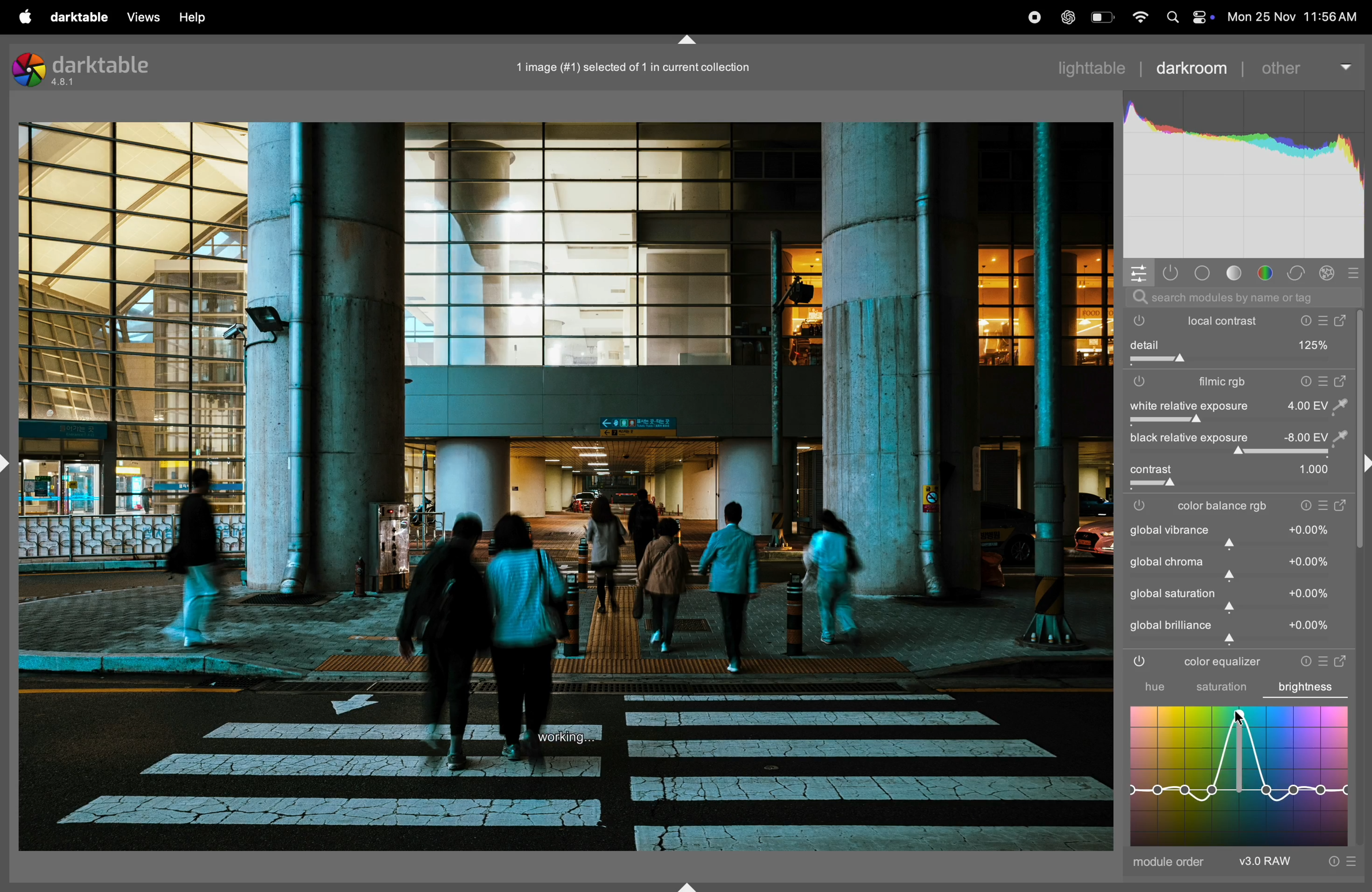  Describe the element at coordinates (1292, 17) in the screenshot. I see `date and time` at that location.